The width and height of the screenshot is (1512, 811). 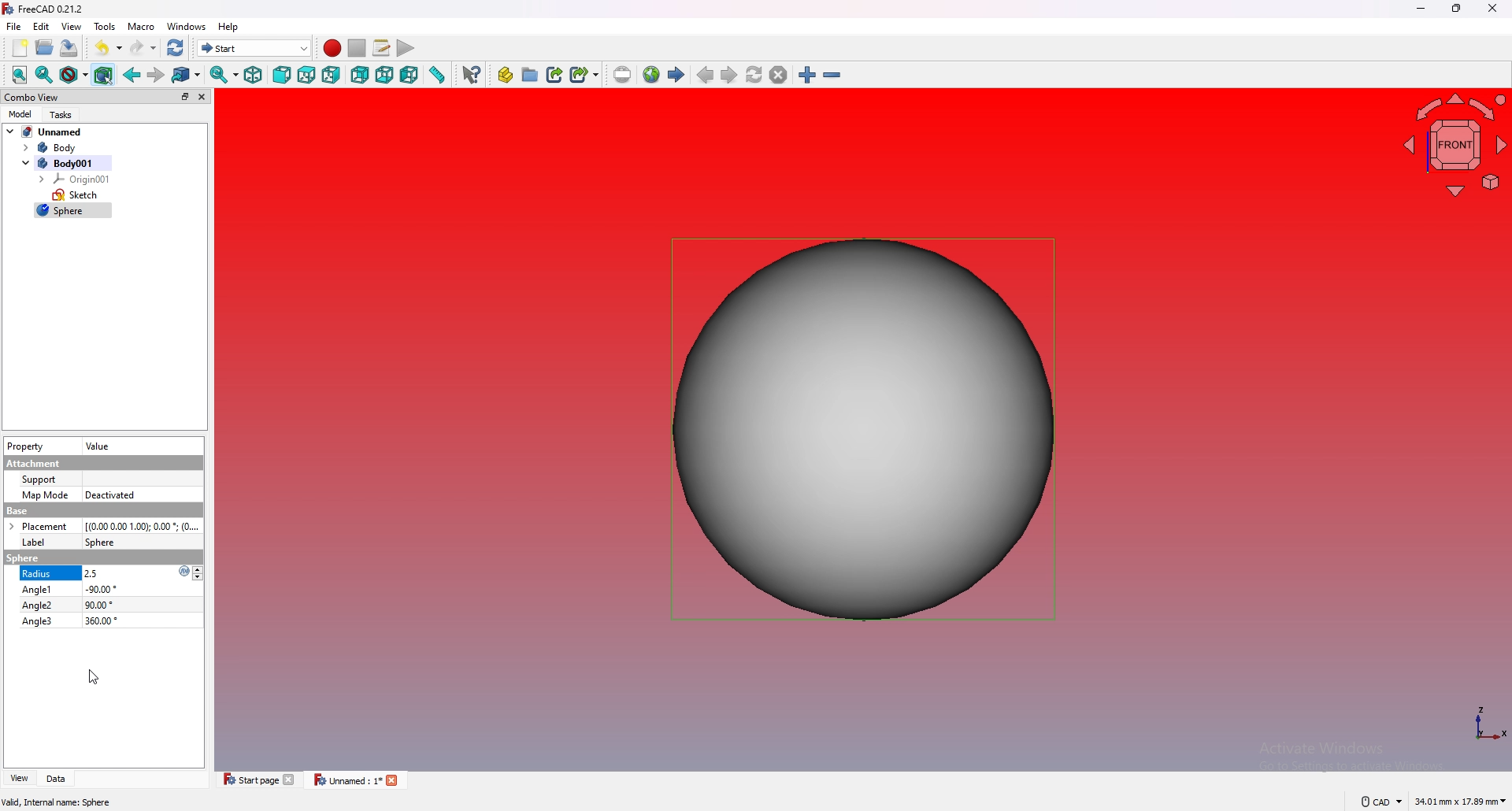 What do you see at coordinates (73, 212) in the screenshot?
I see `sphere` at bounding box center [73, 212].